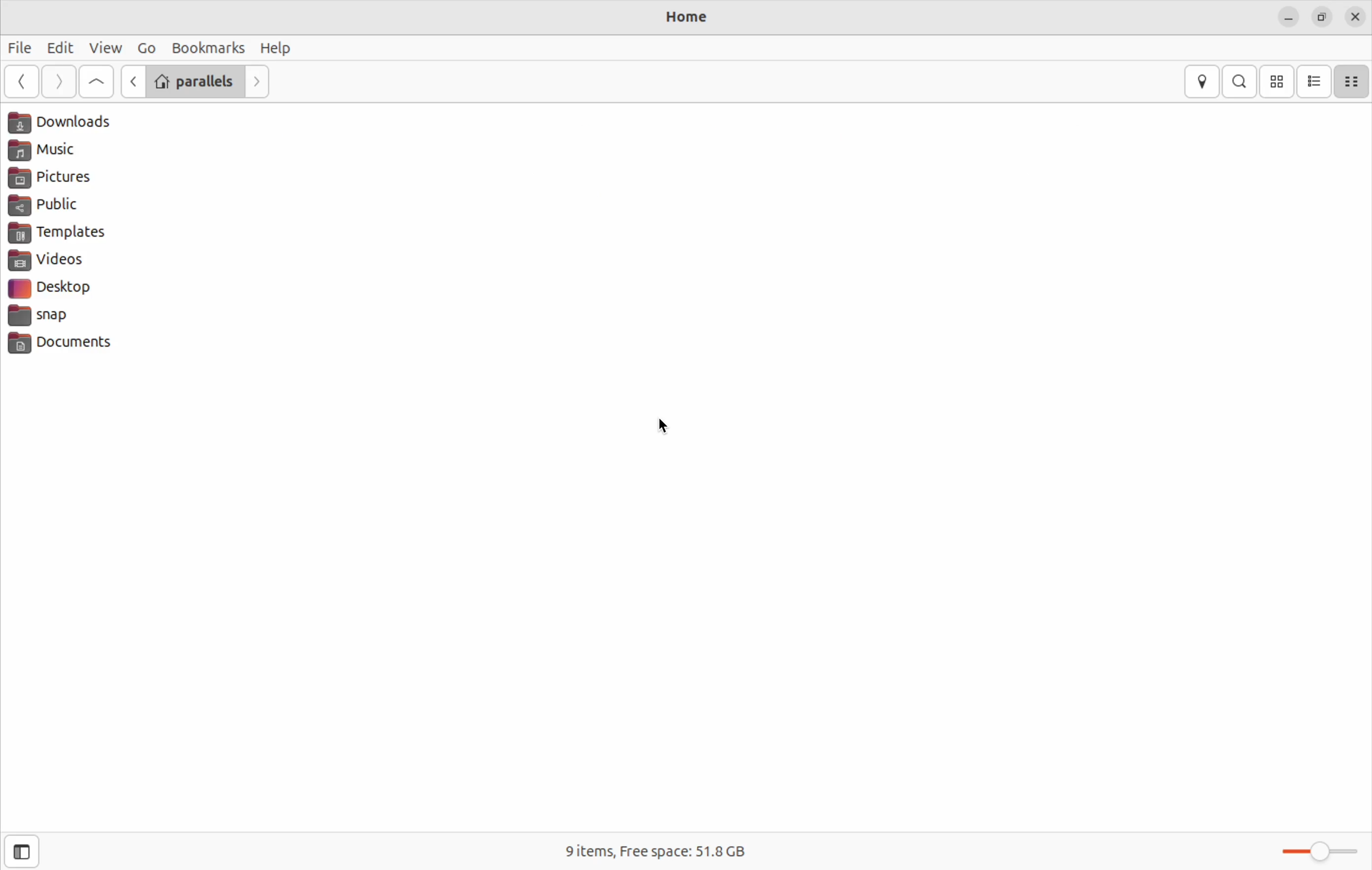  Describe the element at coordinates (1358, 14) in the screenshot. I see `close` at that location.